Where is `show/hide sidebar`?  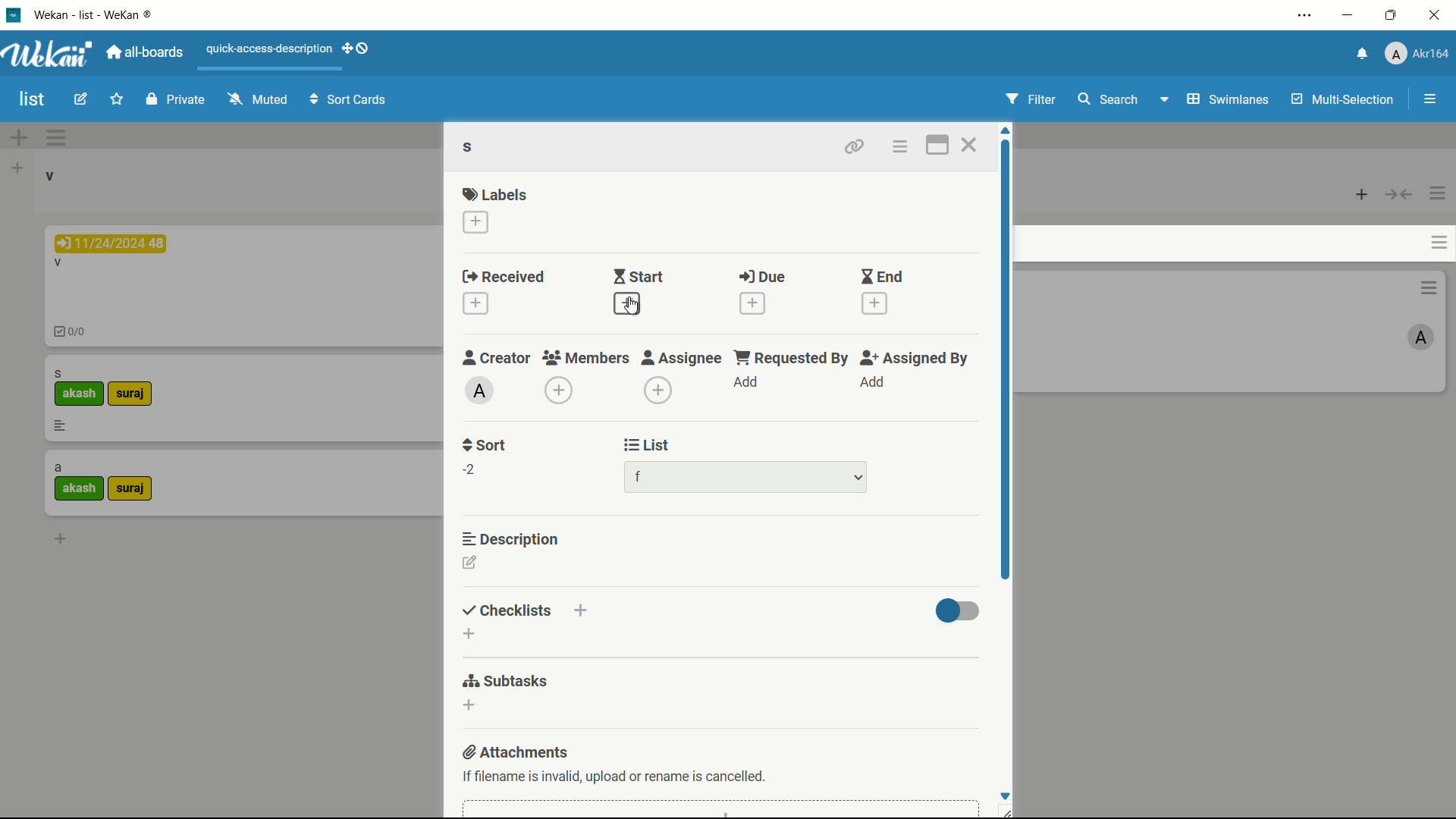 show/hide sidebar is located at coordinates (1431, 99).